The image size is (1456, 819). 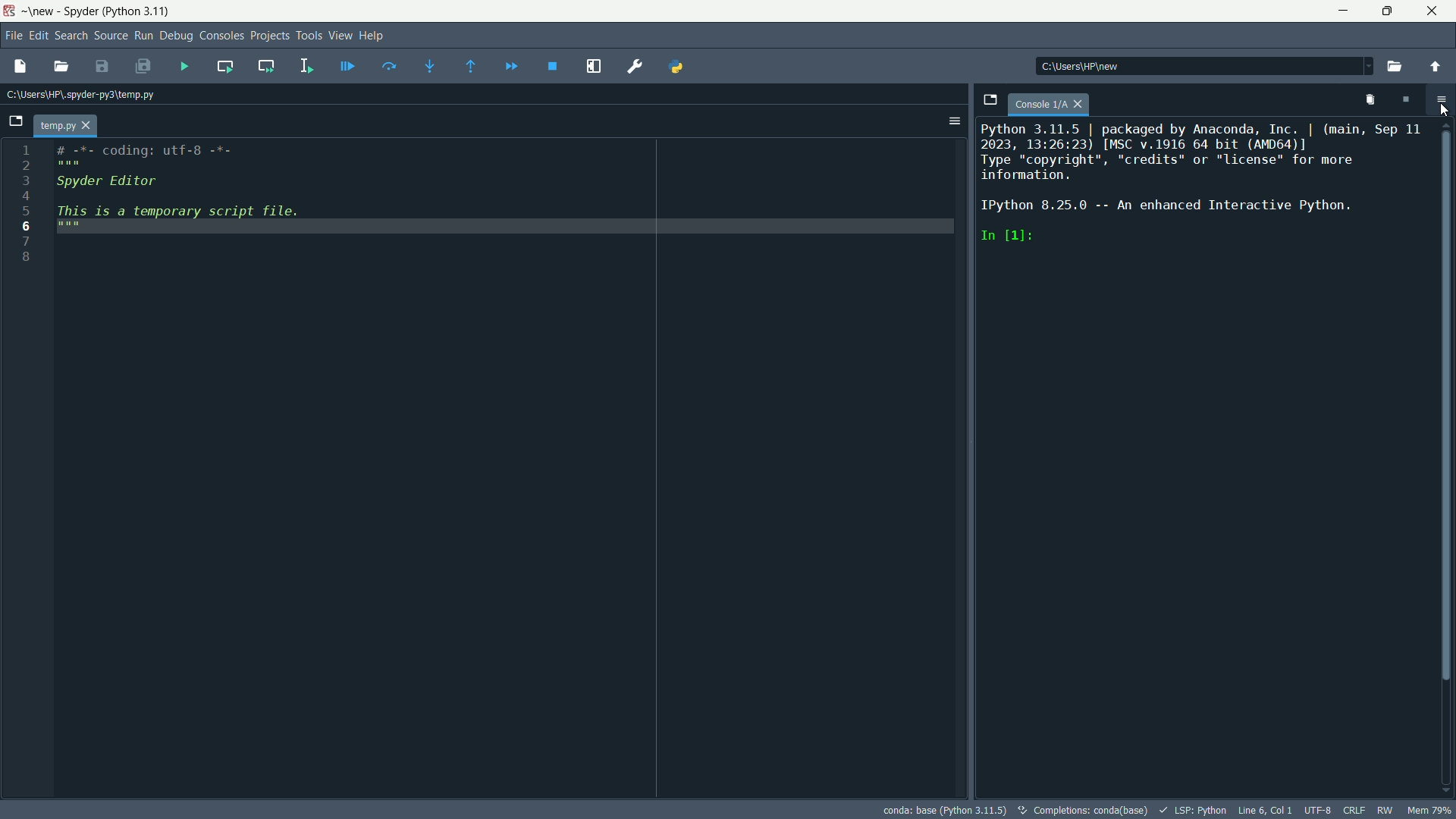 I want to click on new file , so click(x=17, y=67).